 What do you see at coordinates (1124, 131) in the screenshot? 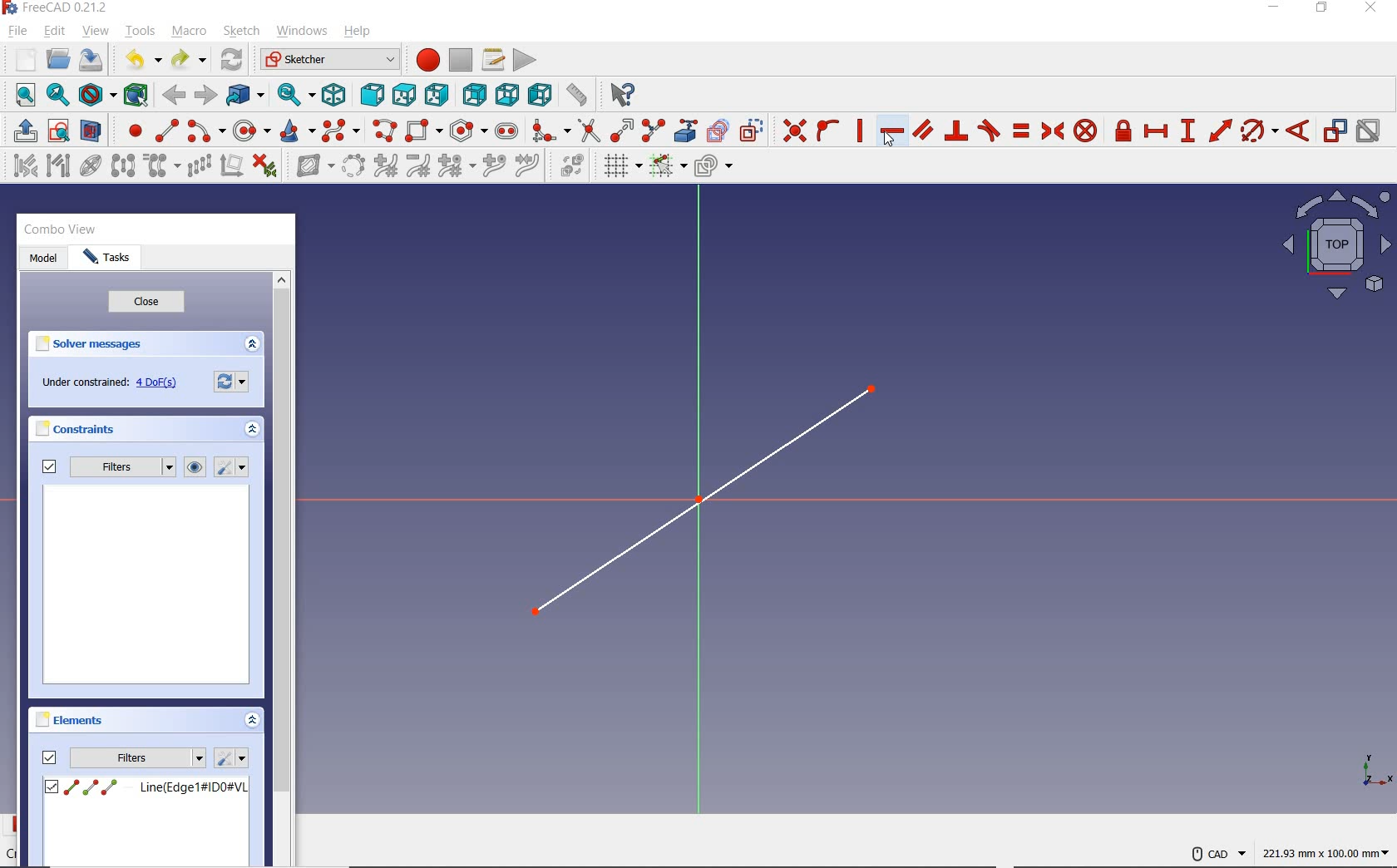
I see `CONSTRAIN LOCK` at bounding box center [1124, 131].